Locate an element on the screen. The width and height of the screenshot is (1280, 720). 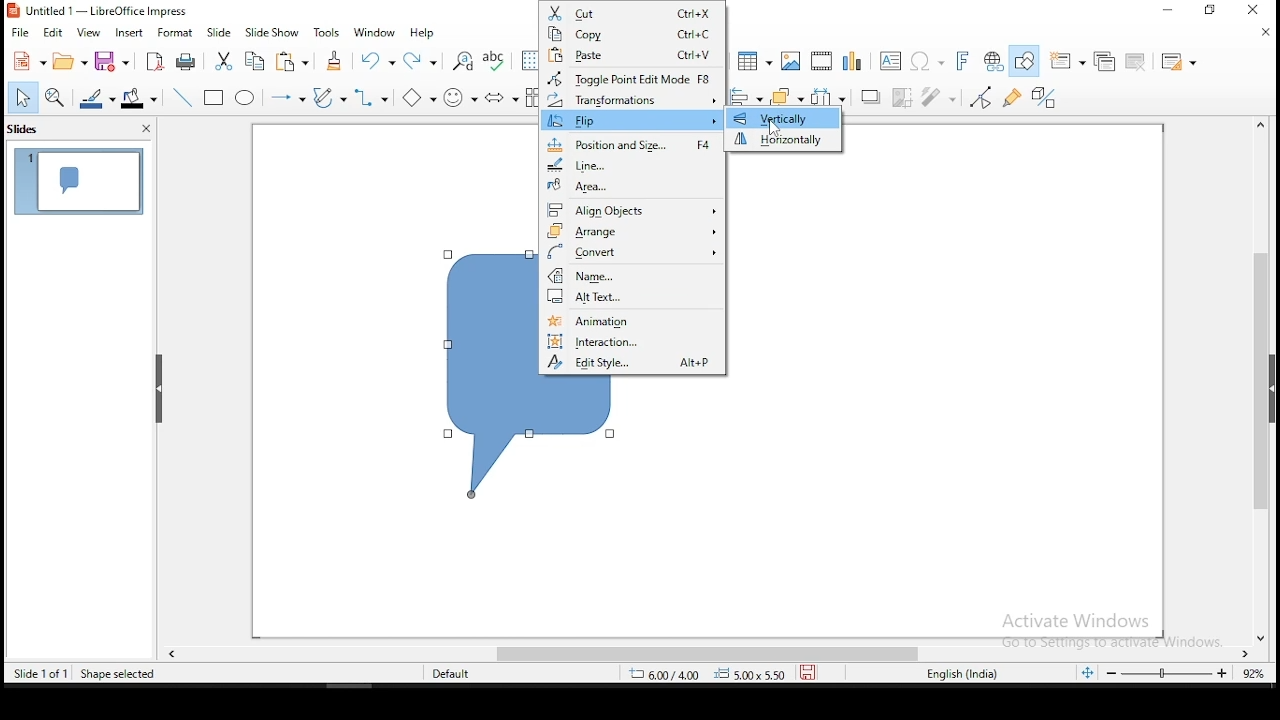
zoom slider is located at coordinates (1169, 675).